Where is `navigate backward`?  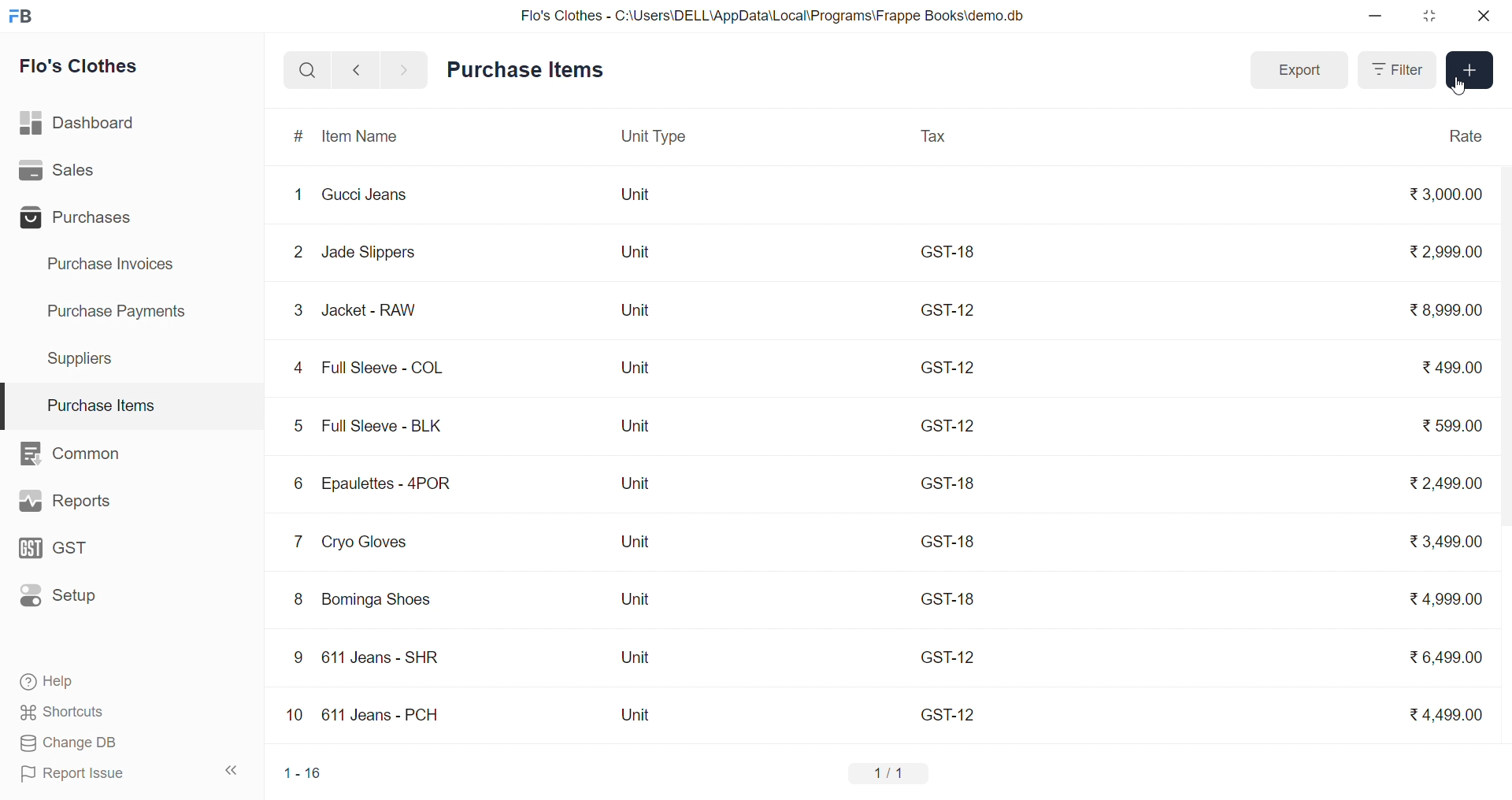 navigate backward is located at coordinates (356, 69).